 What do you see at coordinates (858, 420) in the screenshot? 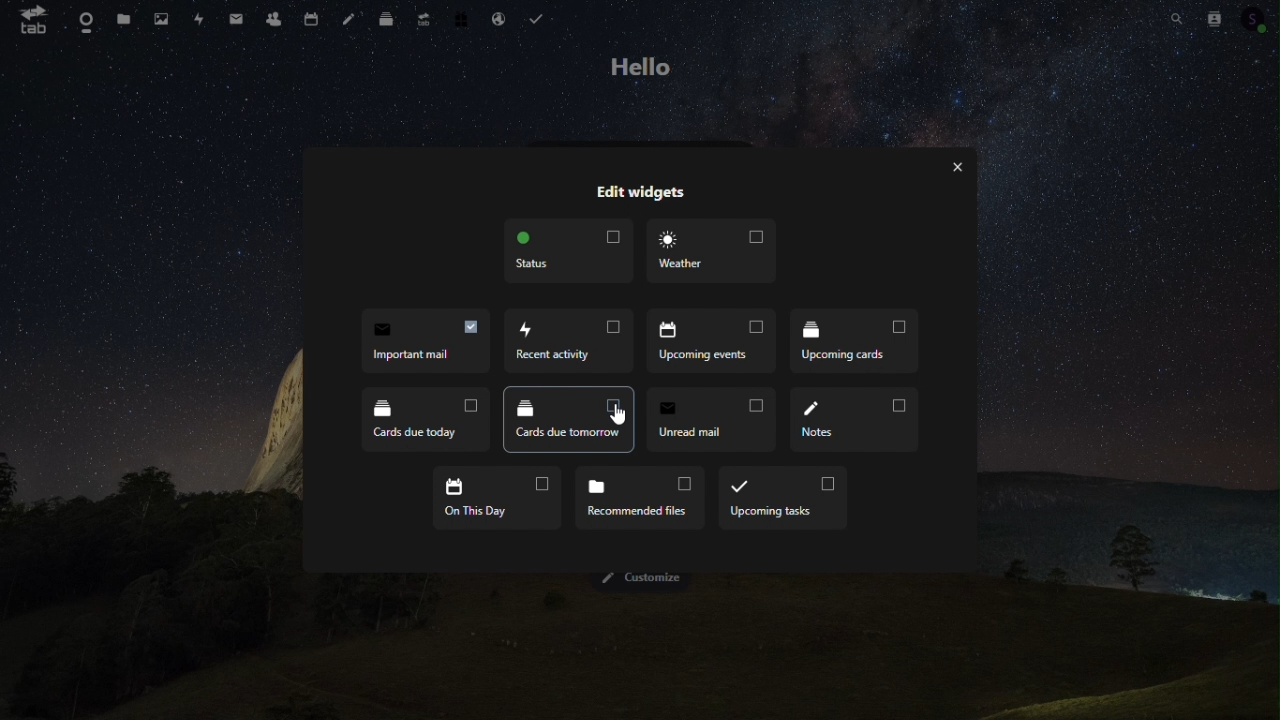
I see `notes` at bounding box center [858, 420].